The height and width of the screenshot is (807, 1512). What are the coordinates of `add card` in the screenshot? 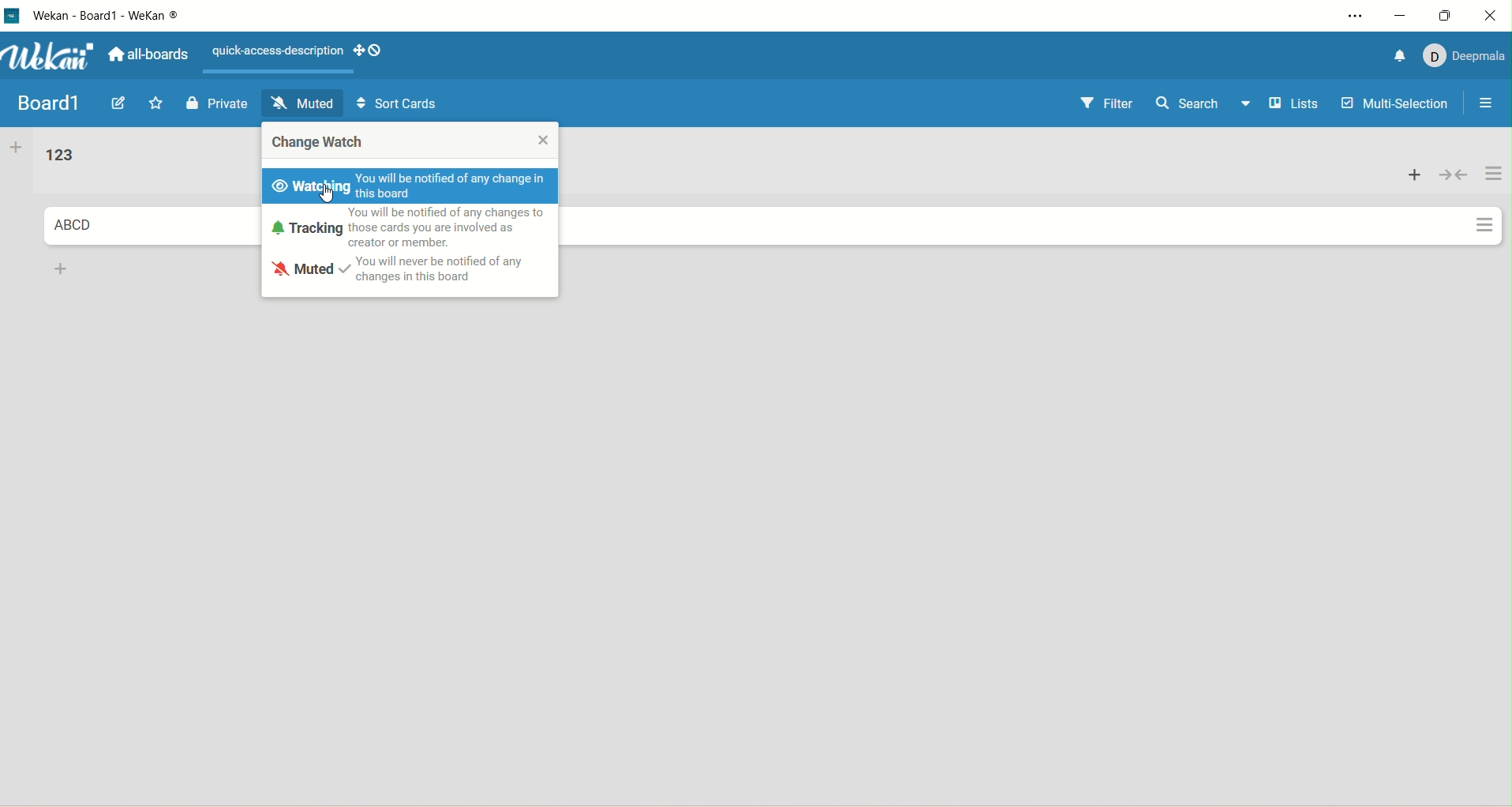 It's located at (58, 268).